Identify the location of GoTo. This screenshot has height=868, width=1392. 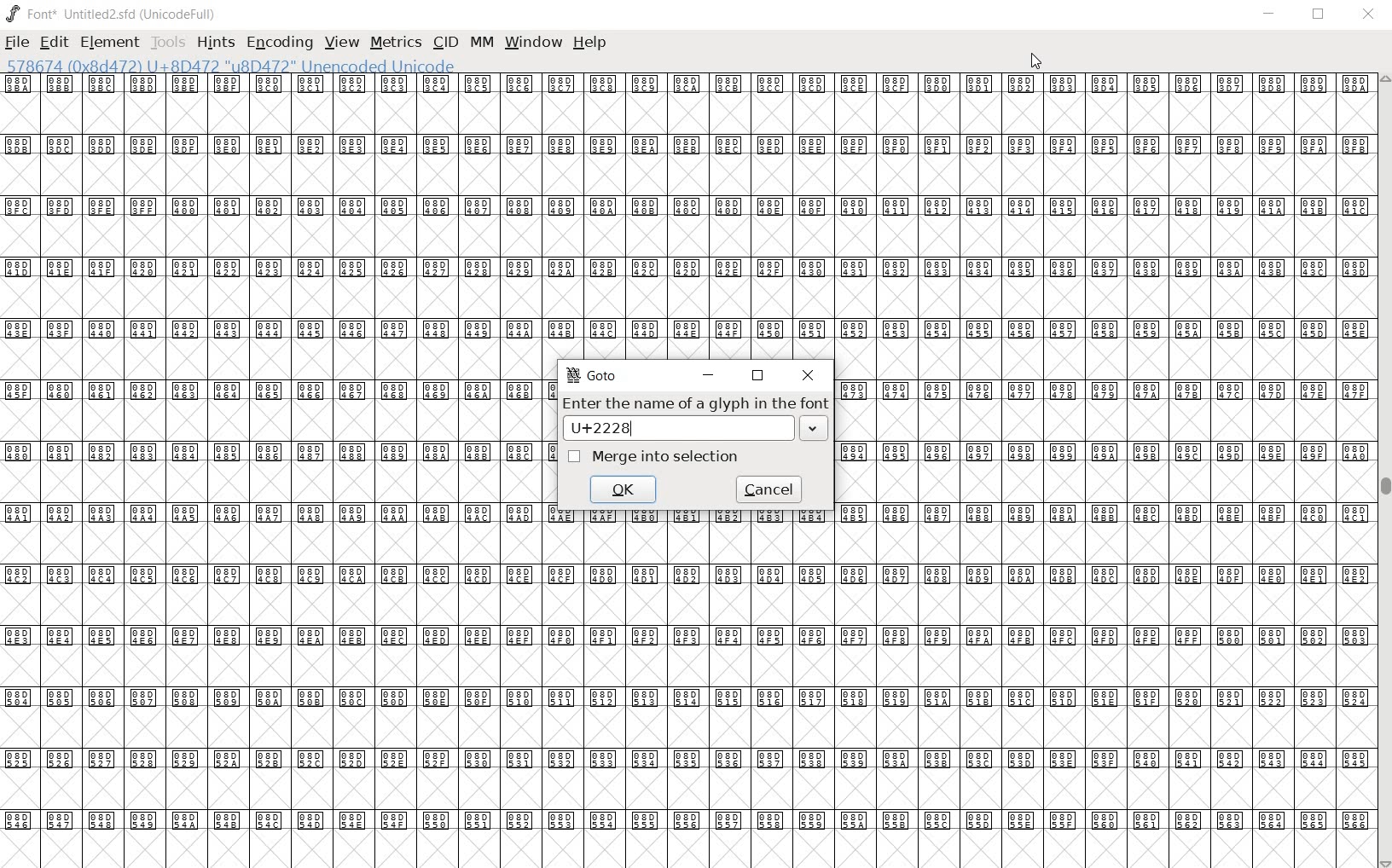
(593, 378).